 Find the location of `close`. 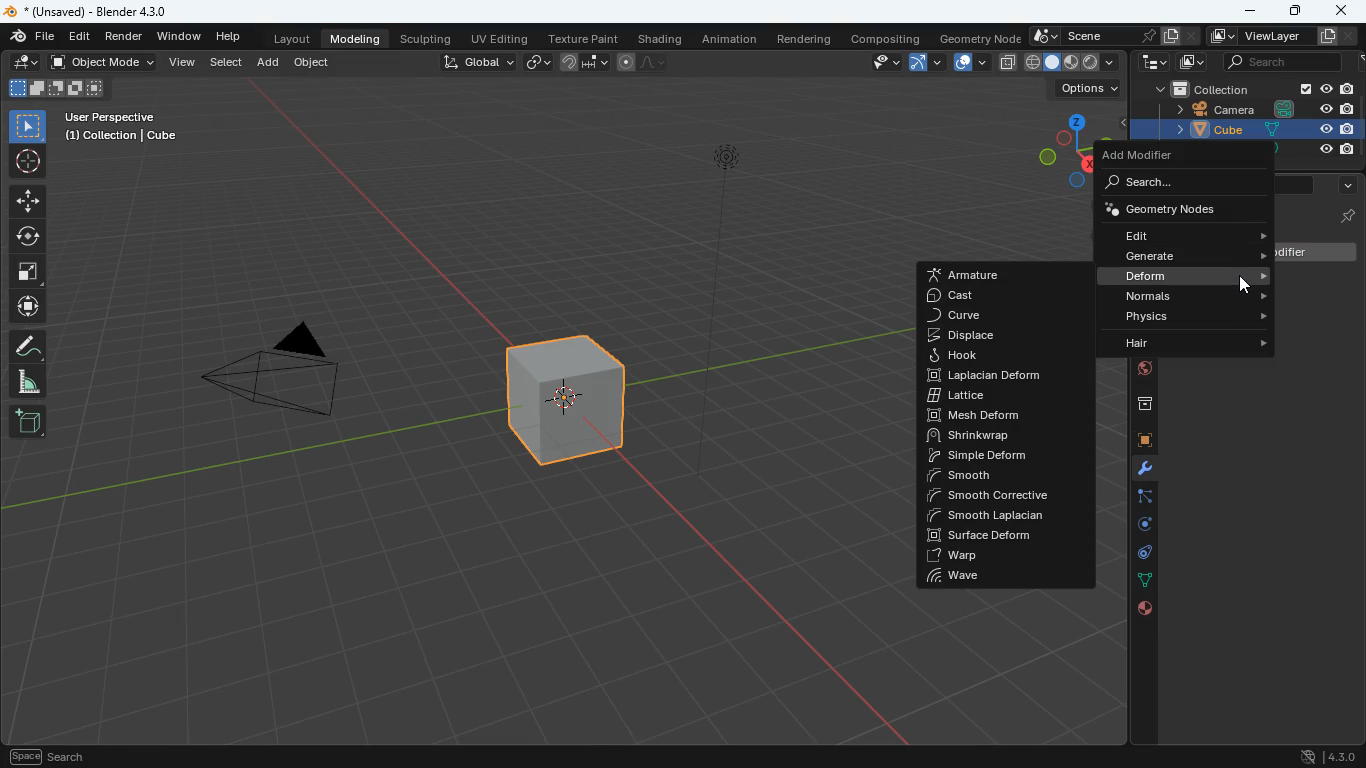

close is located at coordinates (1341, 11).